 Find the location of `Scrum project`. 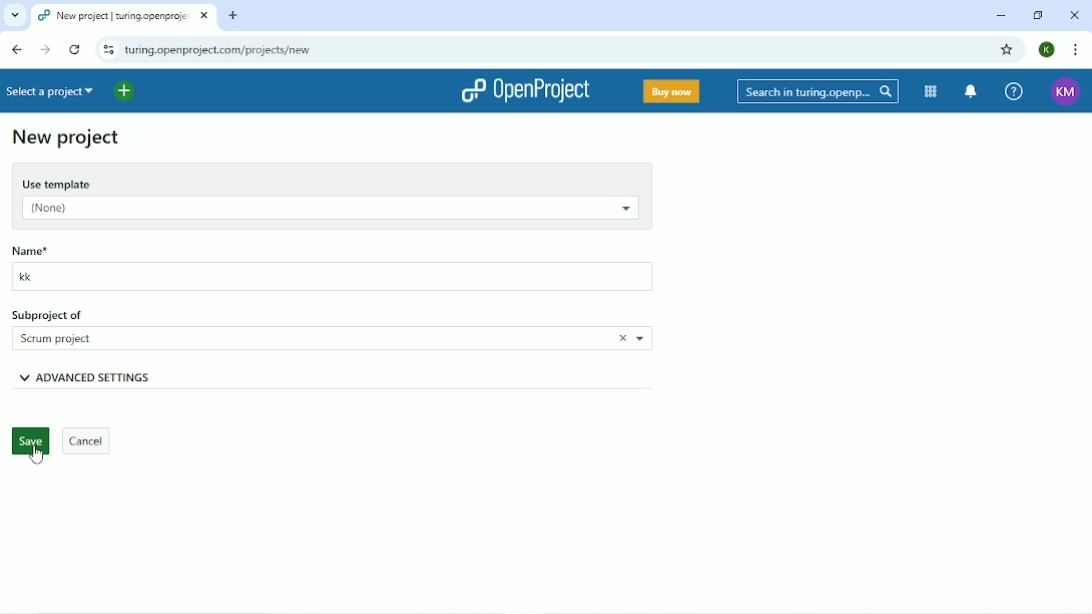

Scrum project is located at coordinates (61, 339).